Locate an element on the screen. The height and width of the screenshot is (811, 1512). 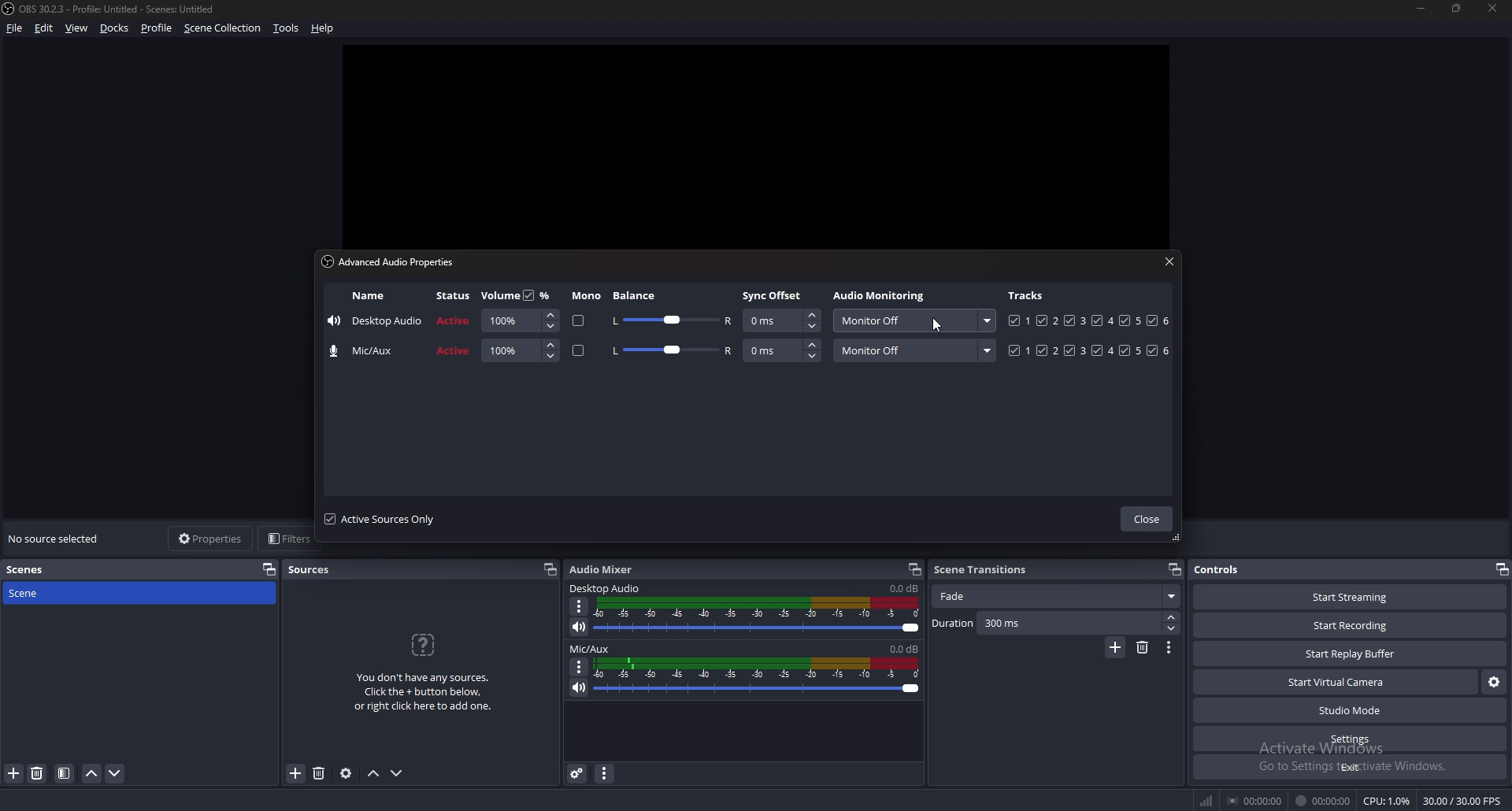
volume level is located at coordinates (905, 648).